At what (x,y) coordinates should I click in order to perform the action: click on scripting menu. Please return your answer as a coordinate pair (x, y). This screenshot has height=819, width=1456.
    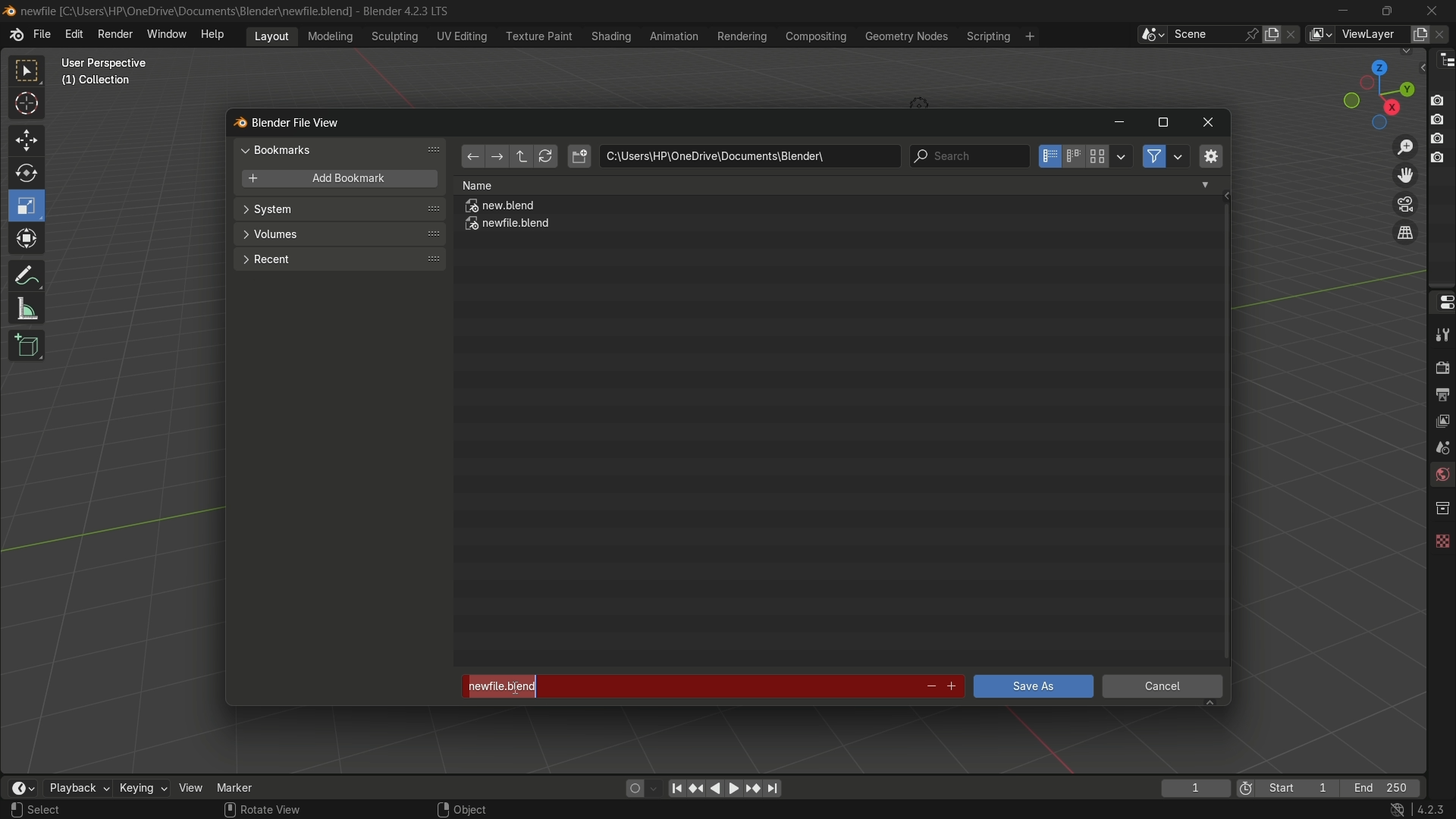
    Looking at the image, I should click on (987, 36).